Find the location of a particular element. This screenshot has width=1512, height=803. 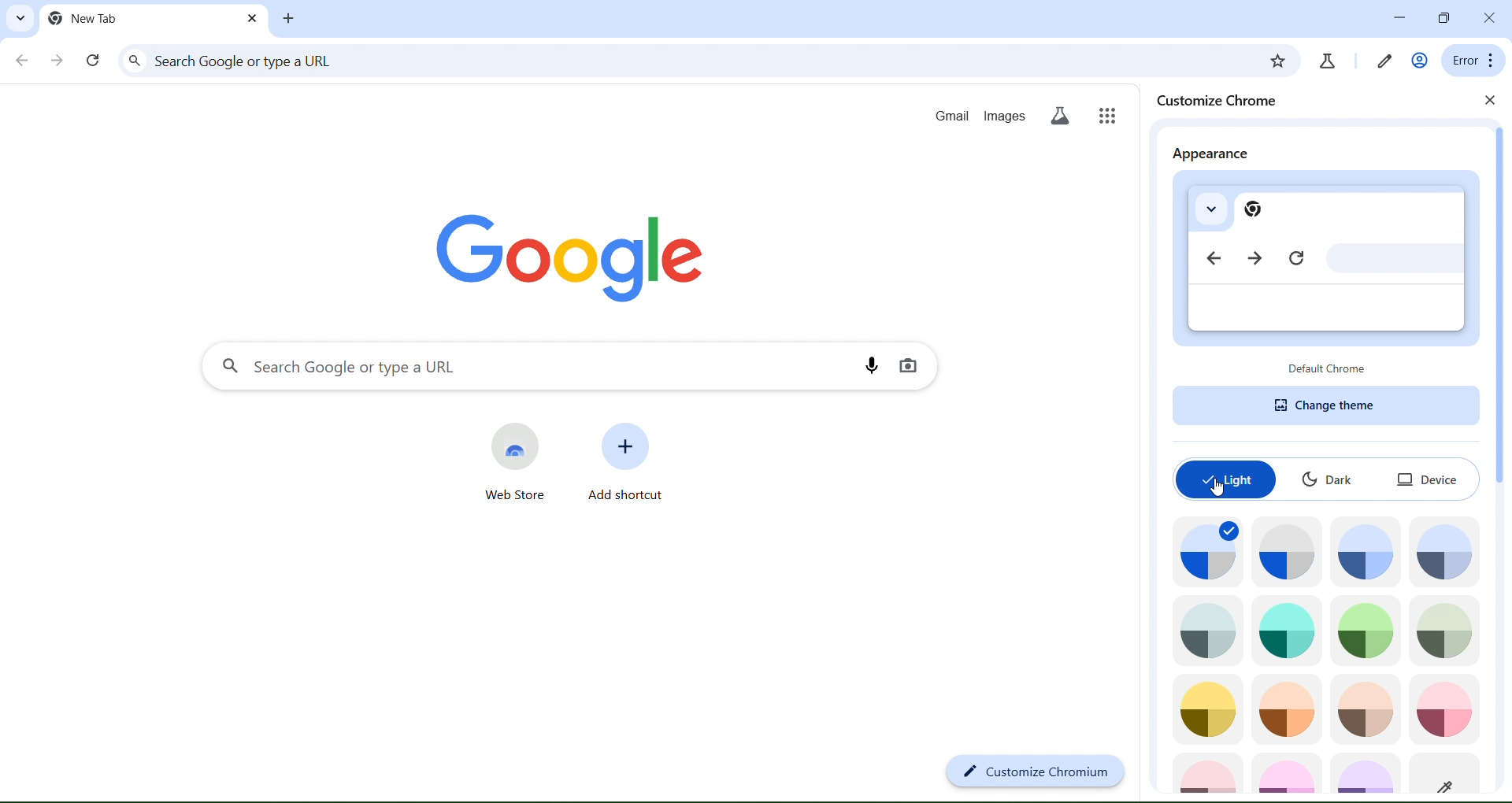

image is located at coordinates (1366, 774).